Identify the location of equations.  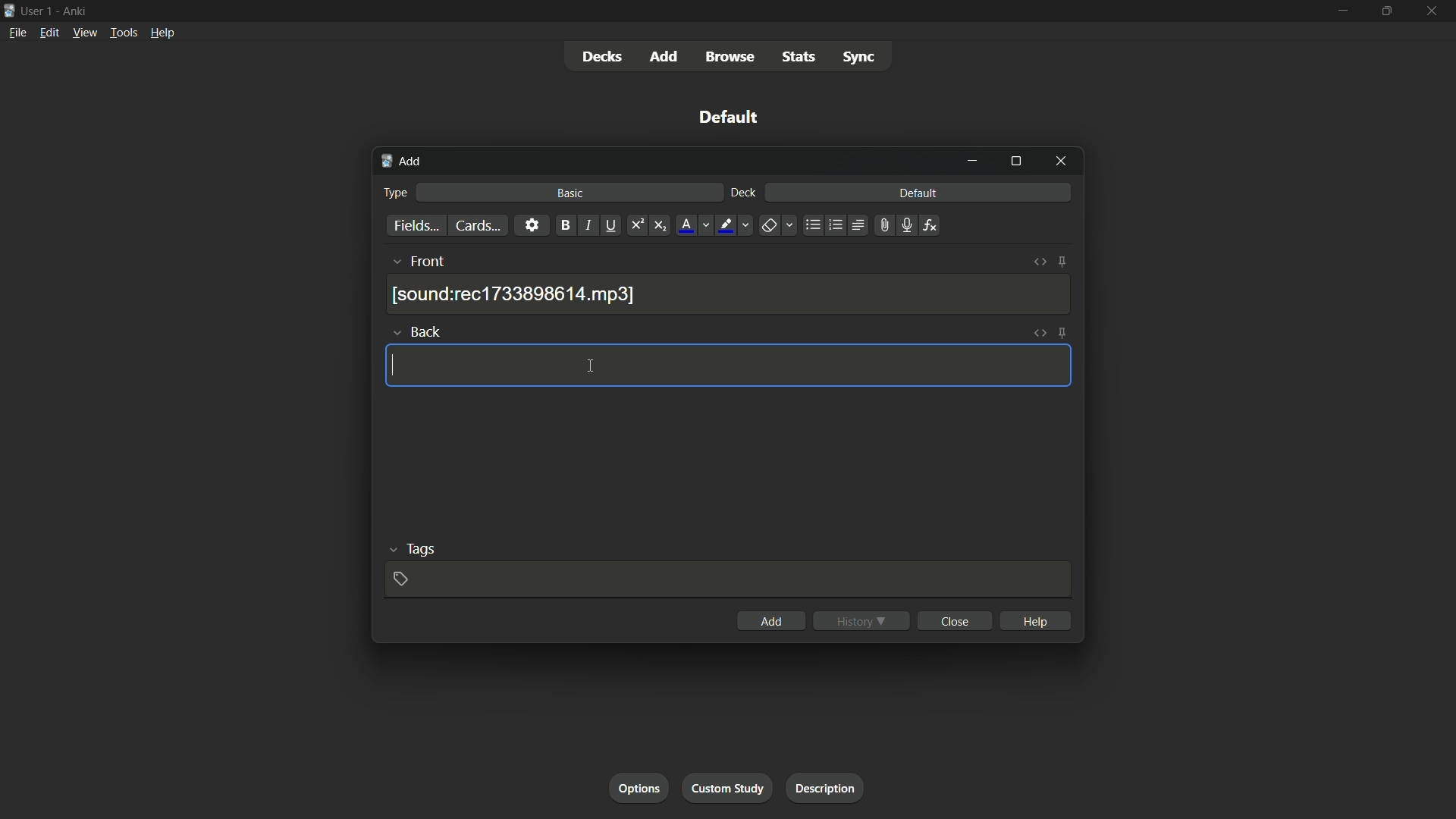
(930, 225).